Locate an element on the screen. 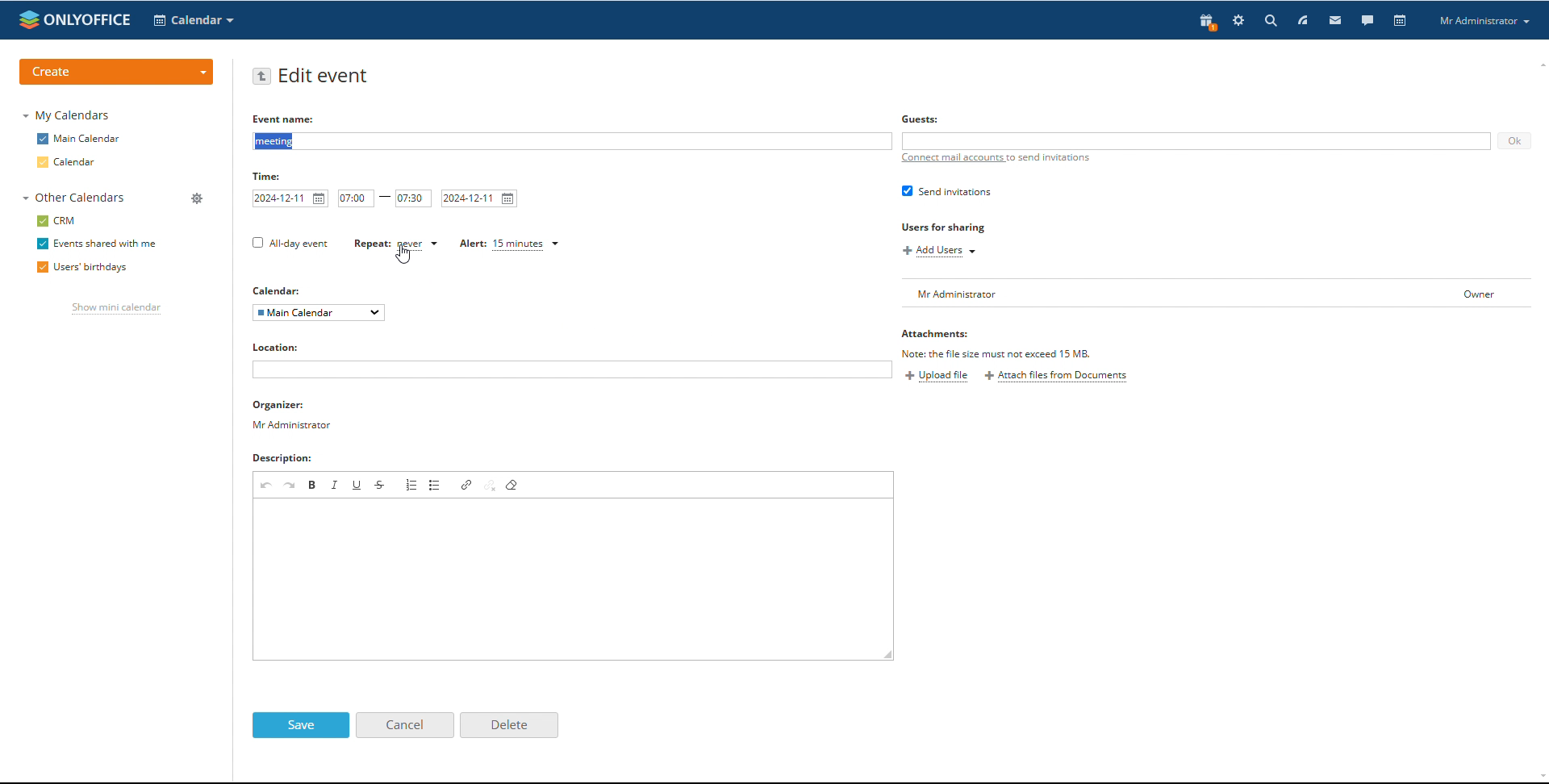  redo is located at coordinates (290, 484).